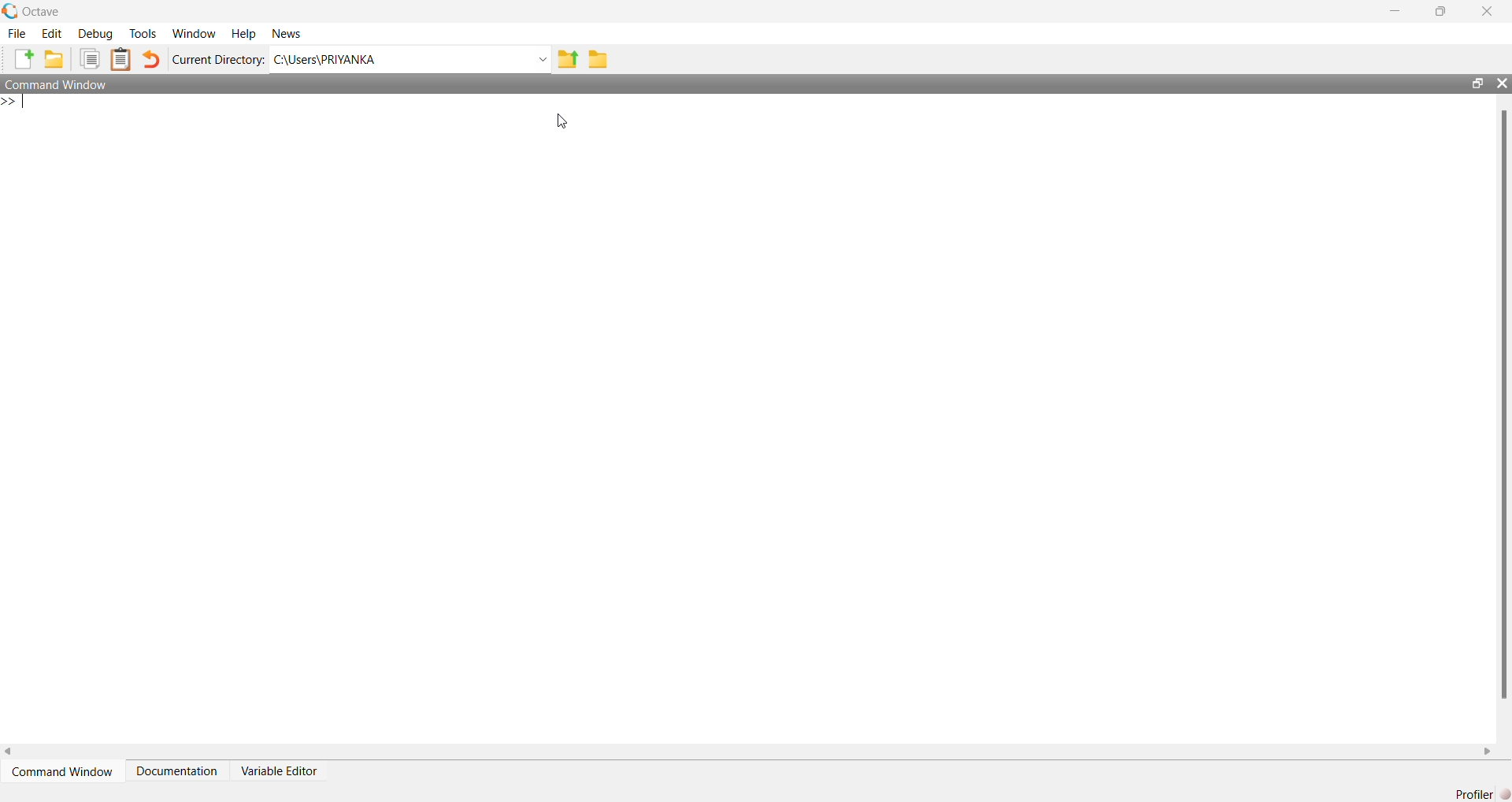 The image size is (1512, 802). I want to click on browse directories, so click(598, 58).